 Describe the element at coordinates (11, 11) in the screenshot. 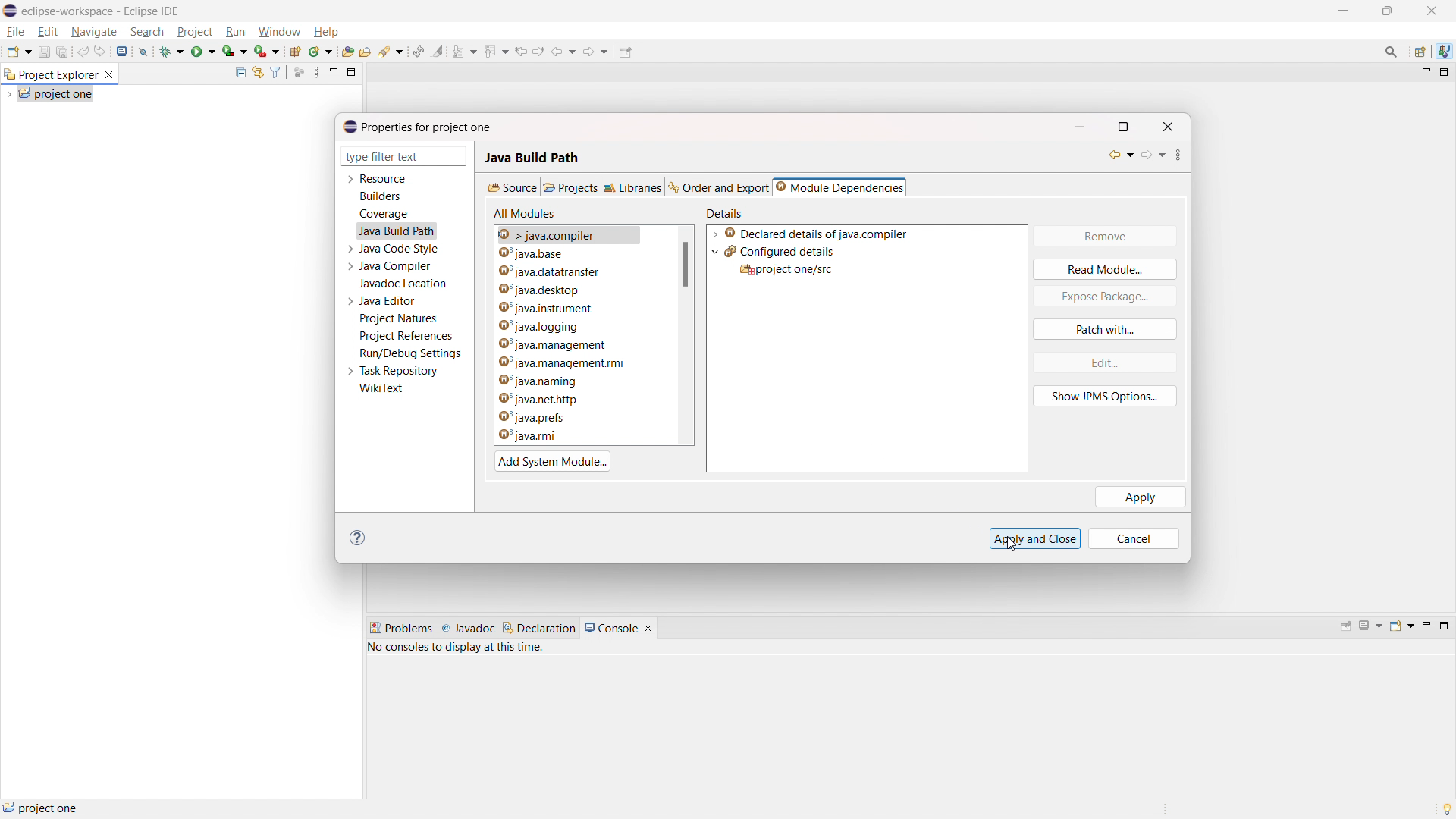

I see `logo` at that location.